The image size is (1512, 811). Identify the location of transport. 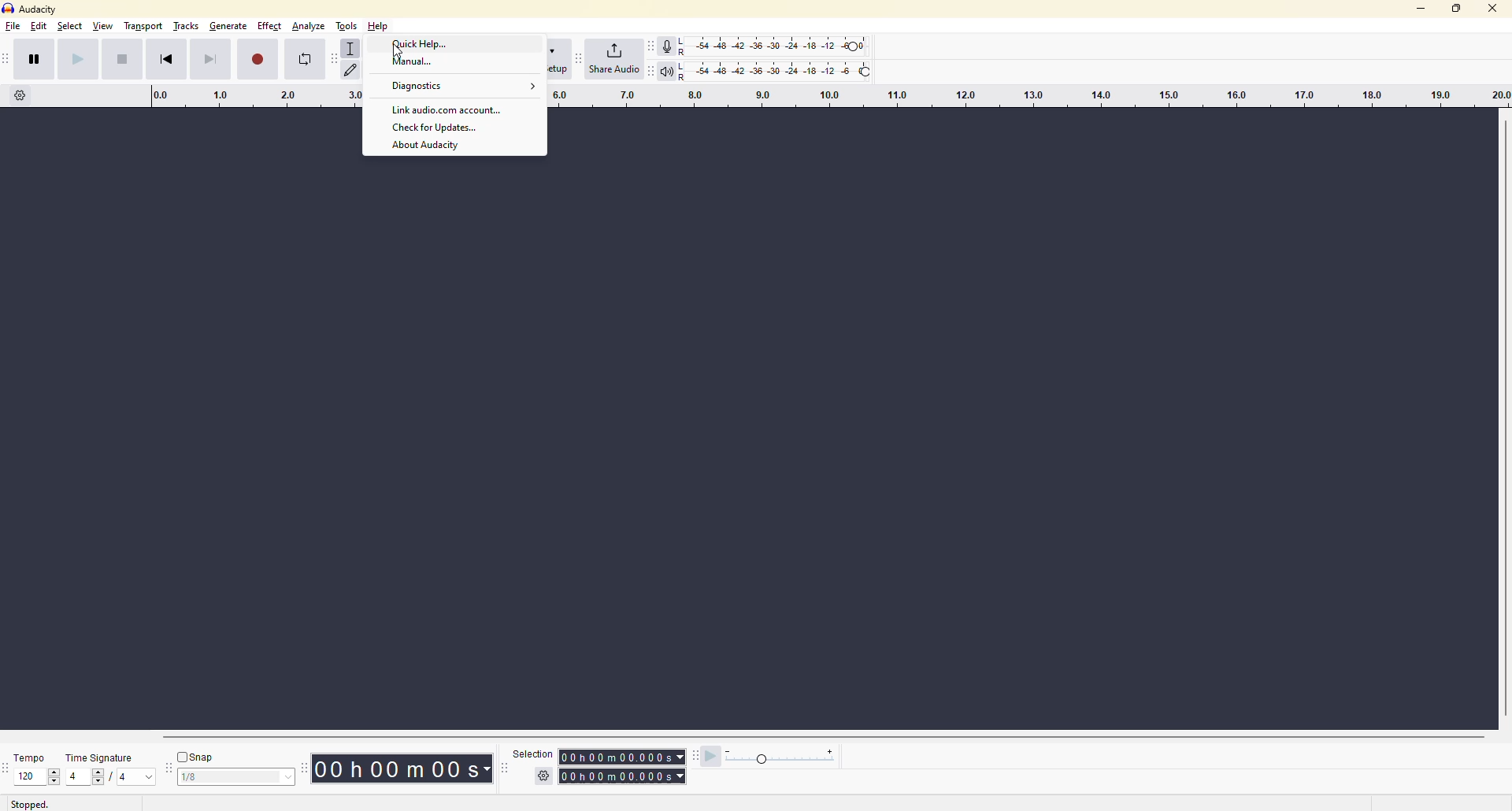
(146, 29).